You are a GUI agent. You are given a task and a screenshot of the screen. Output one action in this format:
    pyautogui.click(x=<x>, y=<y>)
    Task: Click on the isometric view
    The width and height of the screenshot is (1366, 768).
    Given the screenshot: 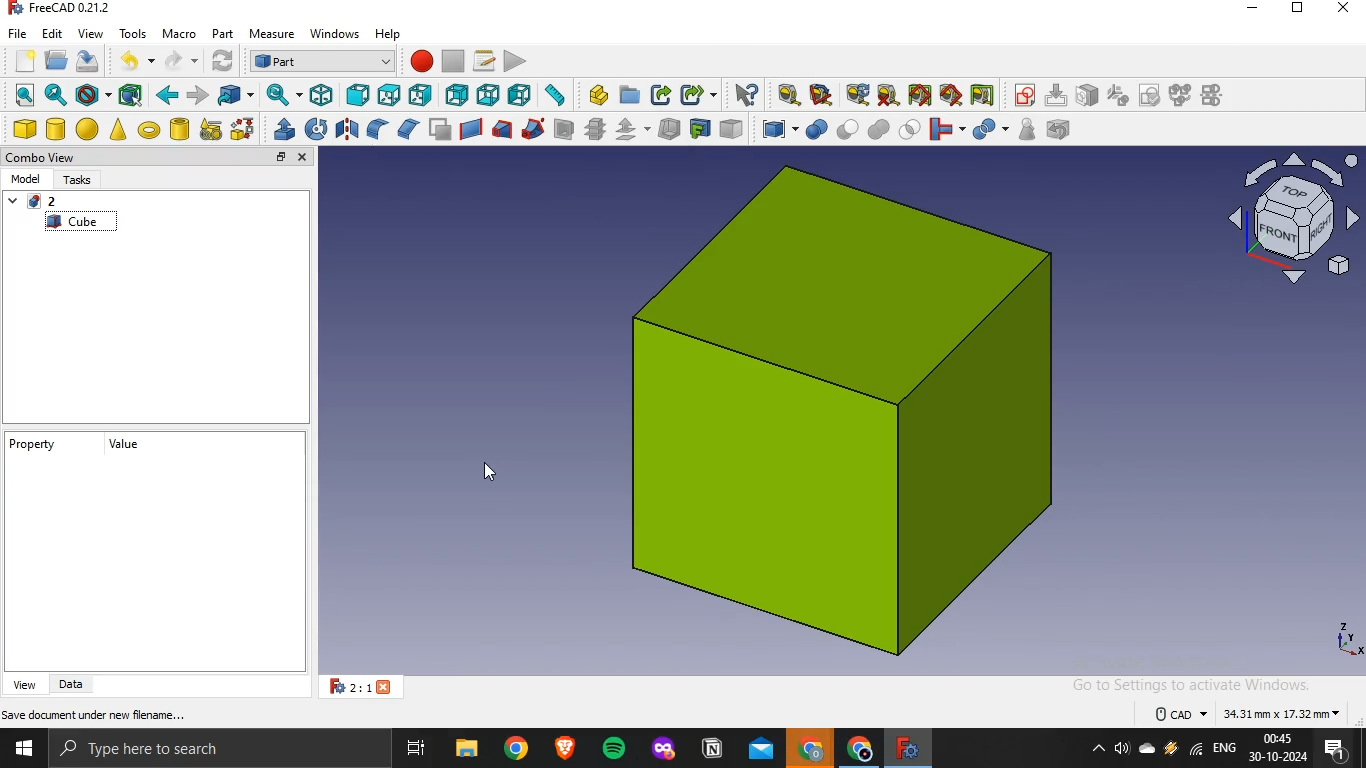 What is the action you would take?
    pyautogui.click(x=322, y=94)
    